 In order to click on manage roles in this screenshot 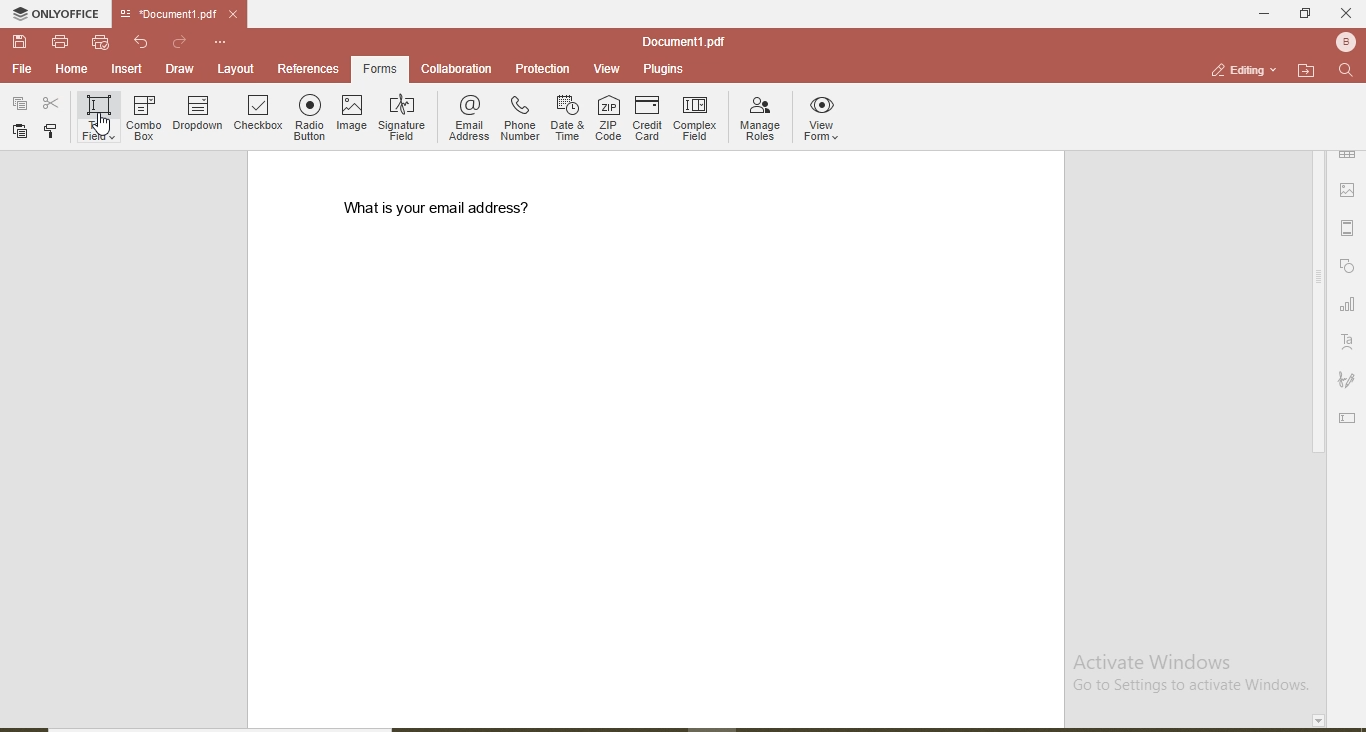, I will do `click(762, 119)`.